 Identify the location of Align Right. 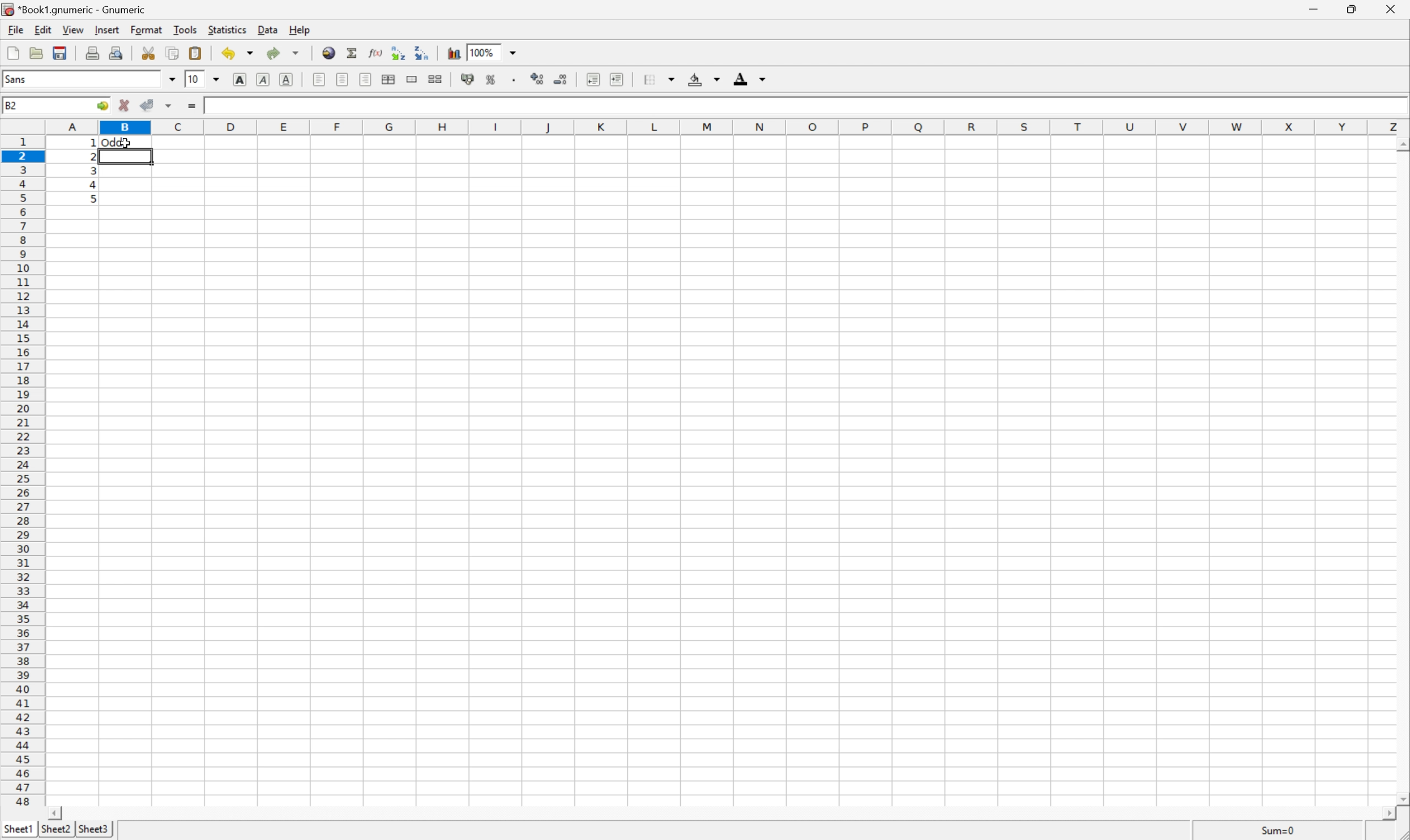
(366, 79).